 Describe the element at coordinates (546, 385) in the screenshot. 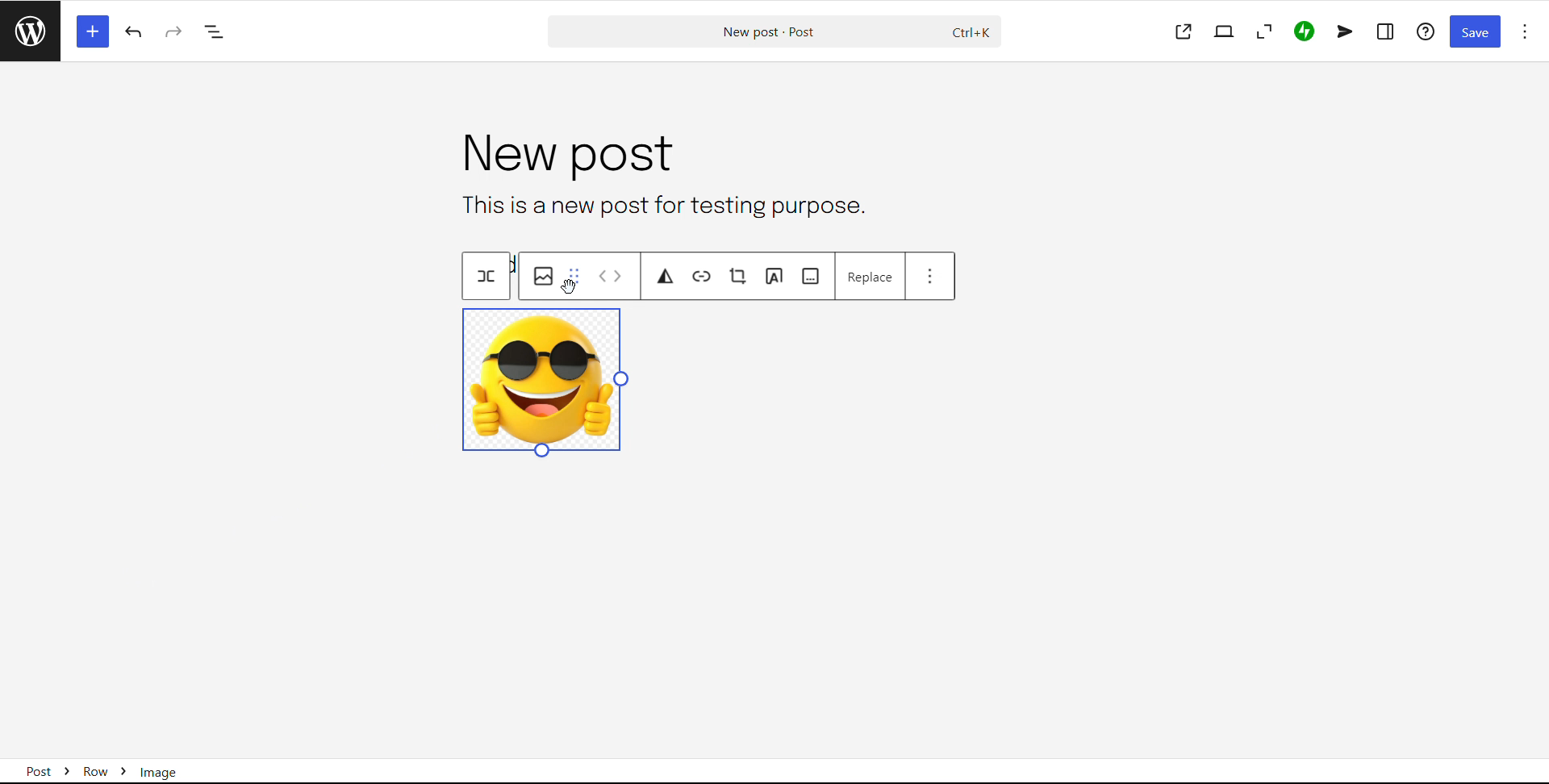

I see `image selected` at that location.